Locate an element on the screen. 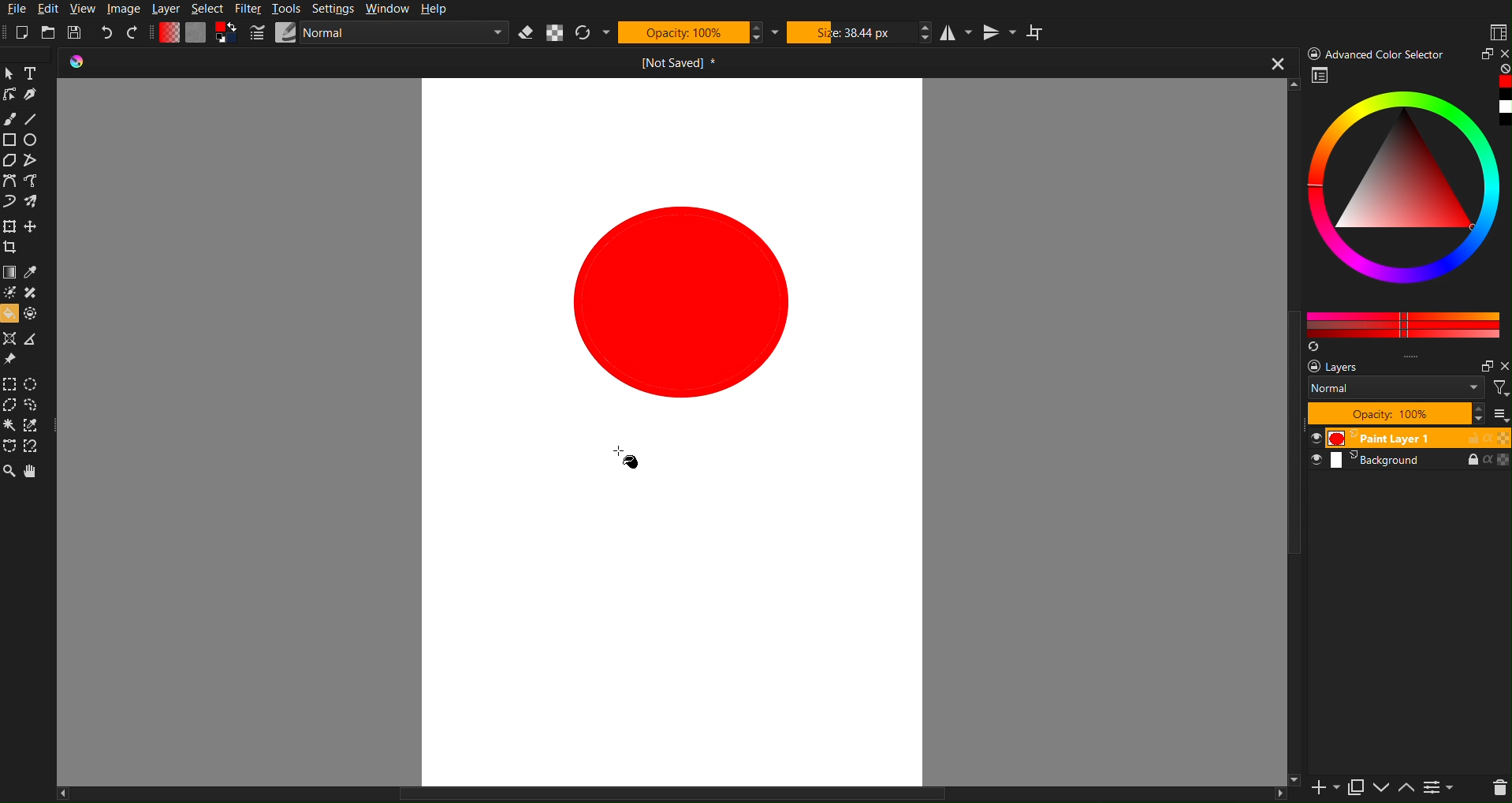 This screenshot has height=803, width=1512. Crop is located at coordinates (10, 248).